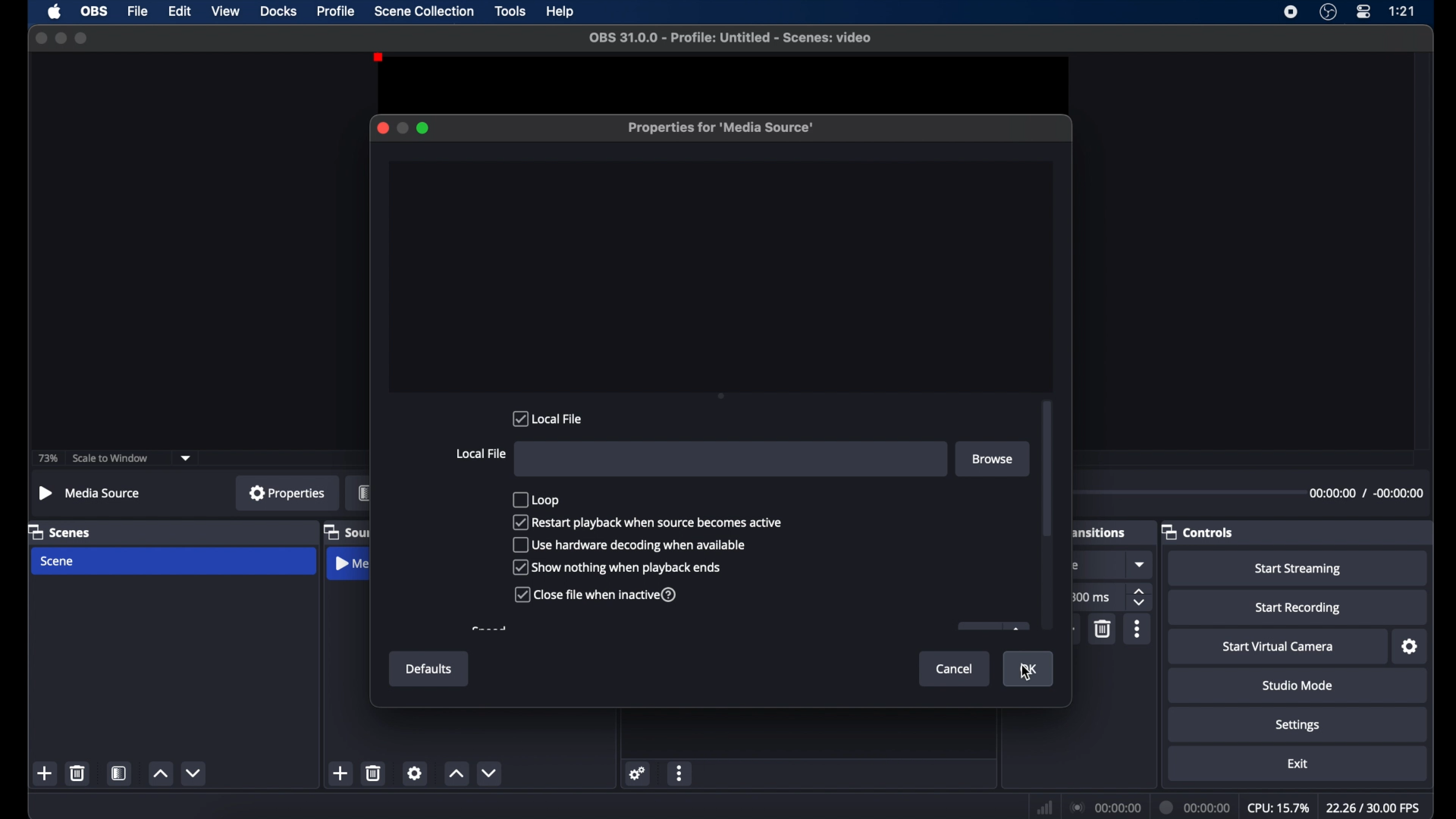  Describe the element at coordinates (649, 522) in the screenshot. I see `restart playback when source becomes active` at that location.